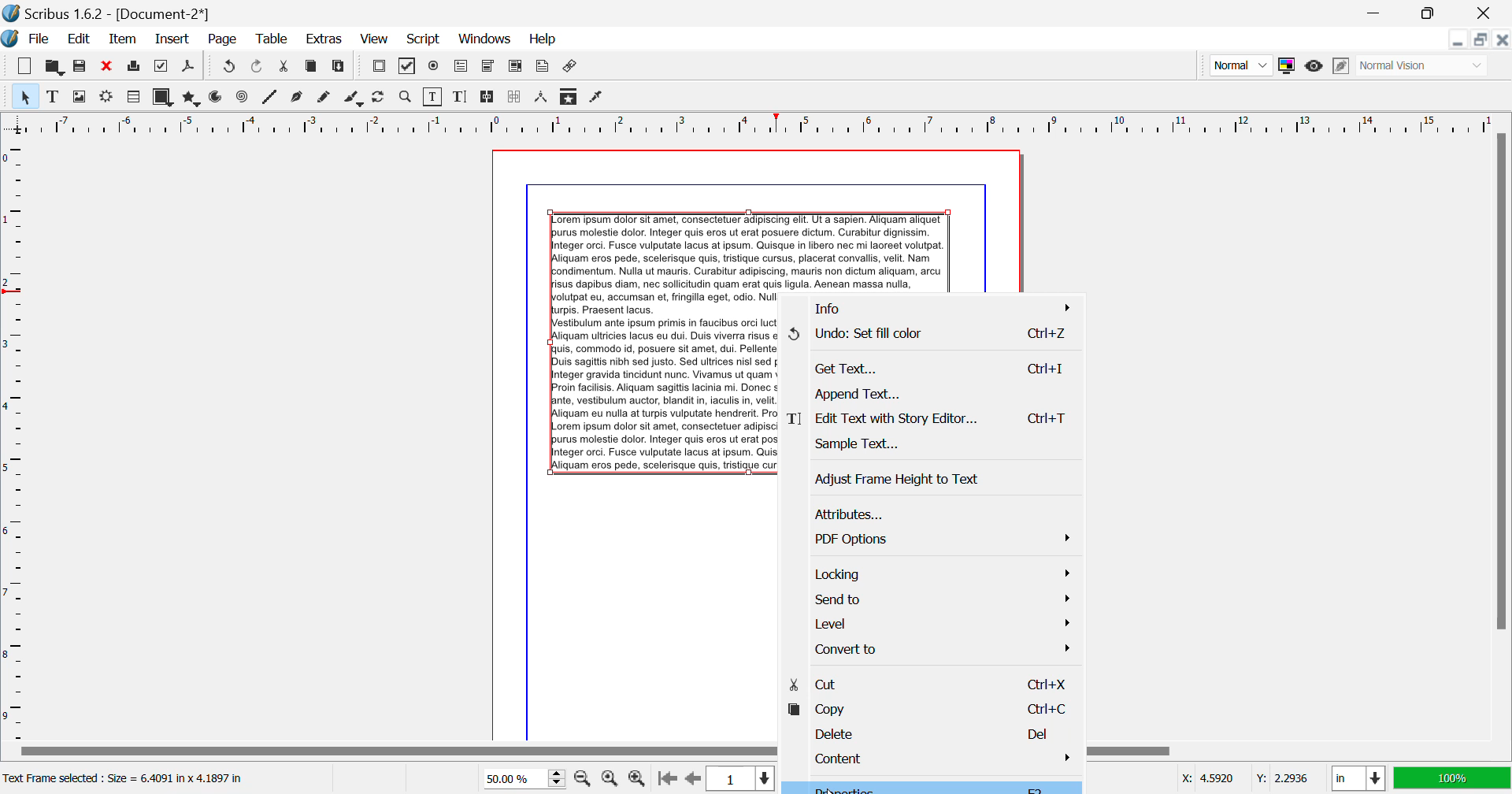 The height and width of the screenshot is (794, 1512). Describe the element at coordinates (1244, 779) in the screenshot. I see `Cursor Coordinates` at that location.